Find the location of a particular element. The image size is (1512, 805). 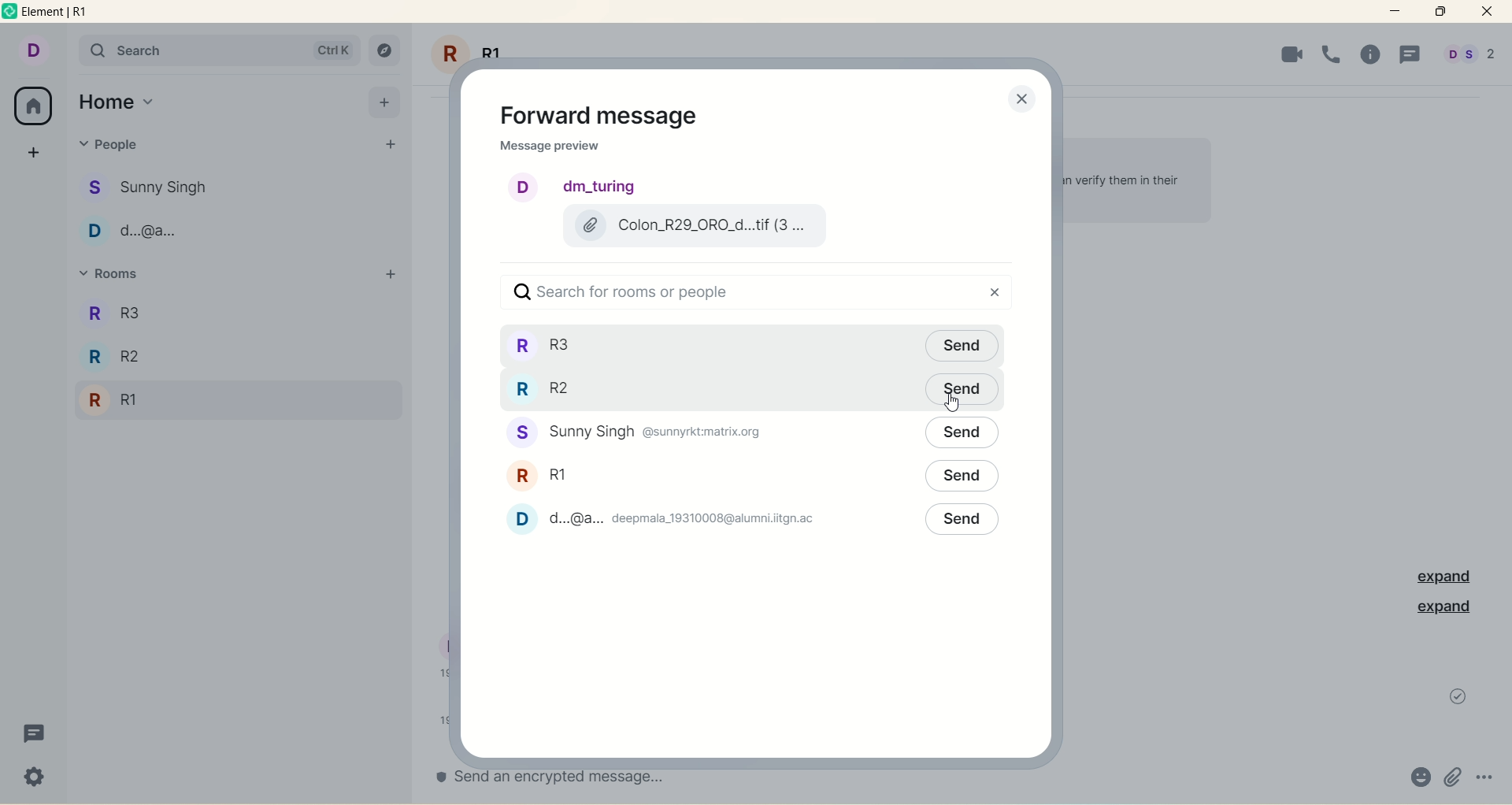

threads is located at coordinates (1410, 56).